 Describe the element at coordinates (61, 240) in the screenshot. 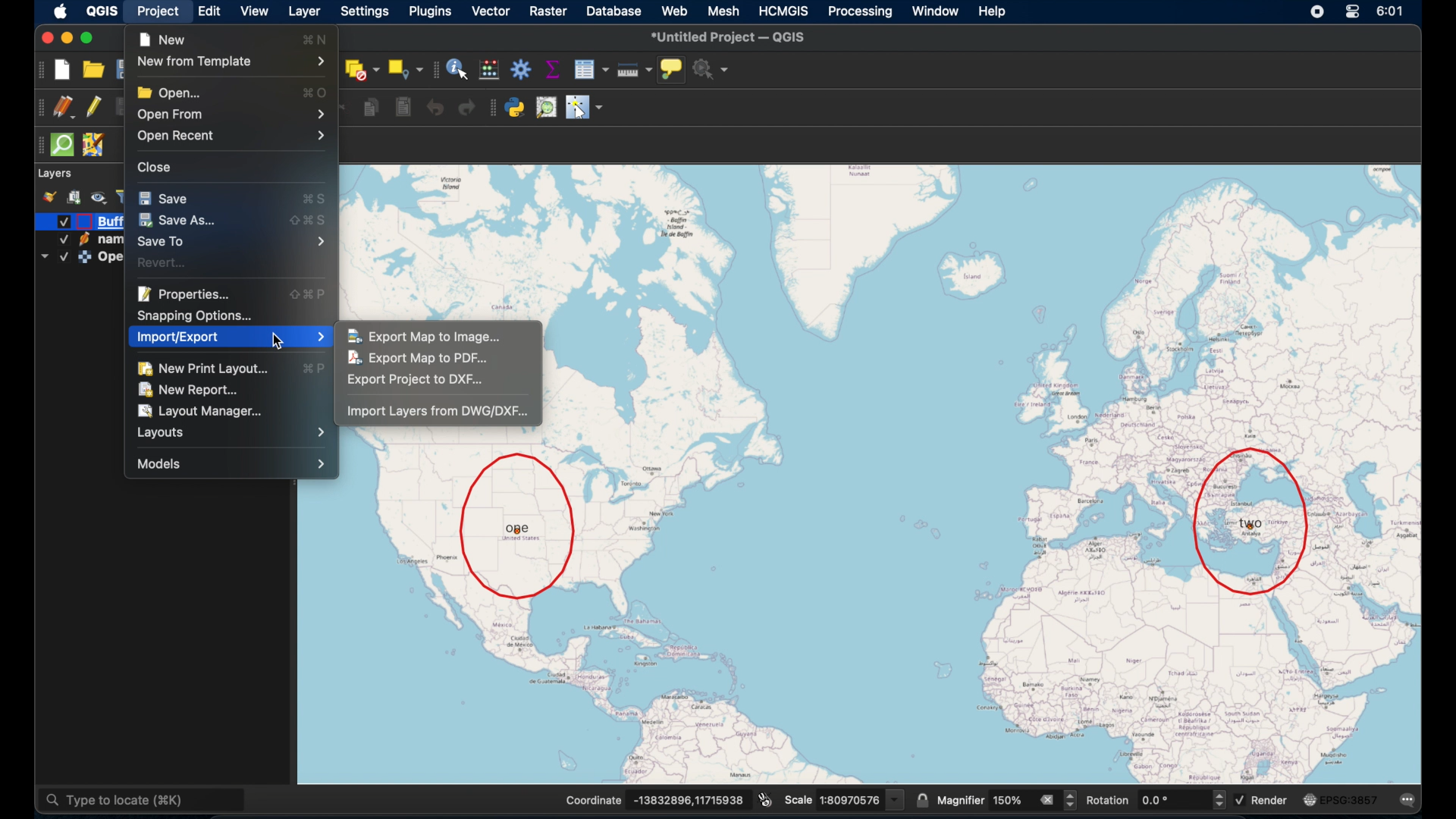

I see `Checked checkbox` at that location.